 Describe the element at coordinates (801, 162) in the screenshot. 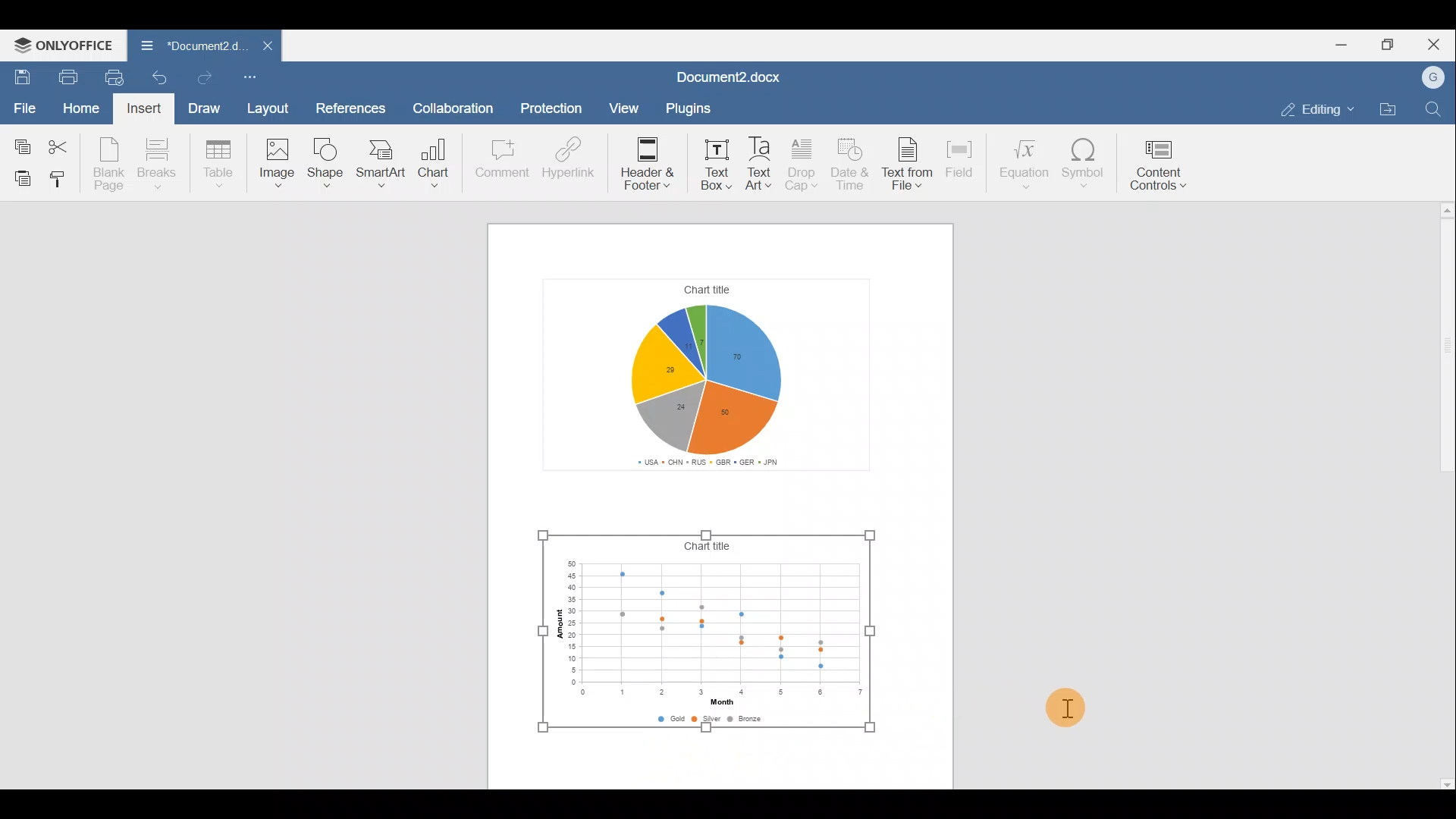

I see `Drop cap` at that location.